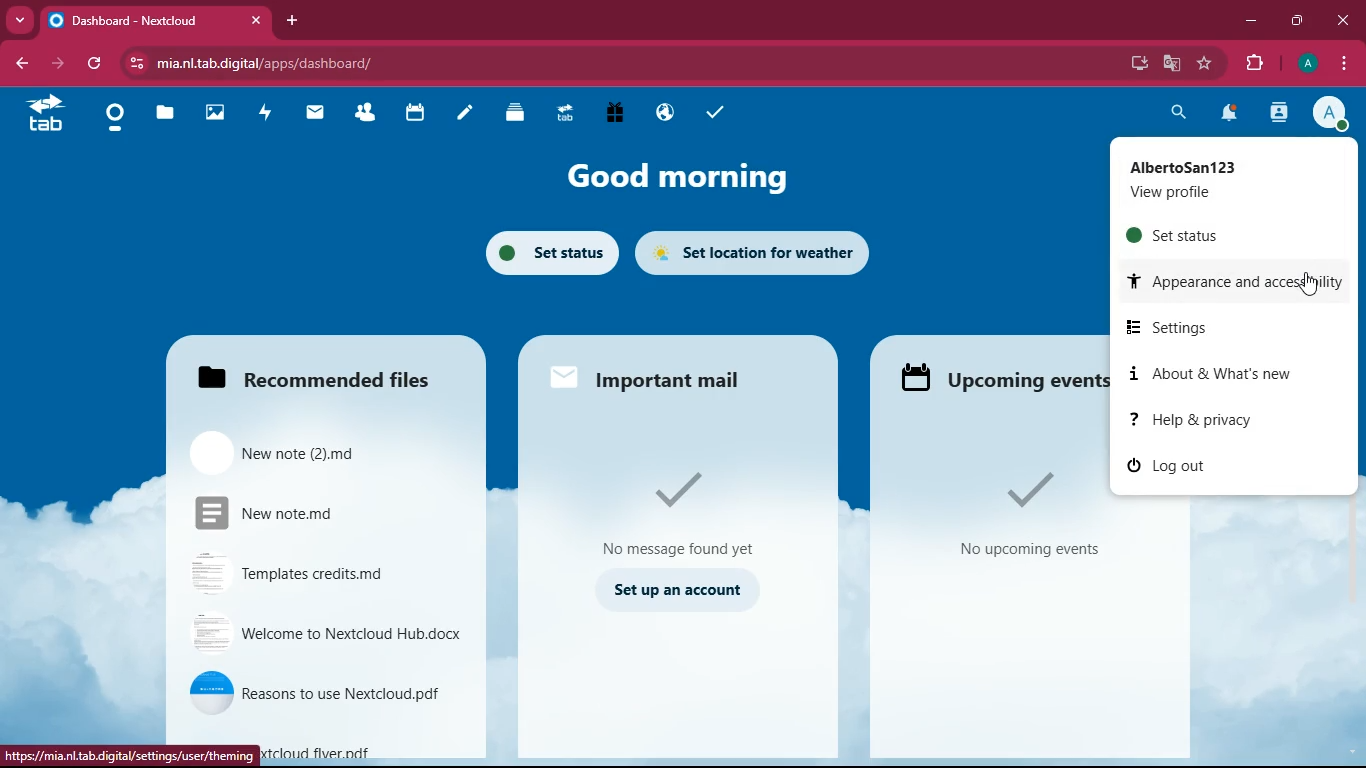 This screenshot has height=768, width=1366. Describe the element at coordinates (464, 116) in the screenshot. I see `notes` at that location.